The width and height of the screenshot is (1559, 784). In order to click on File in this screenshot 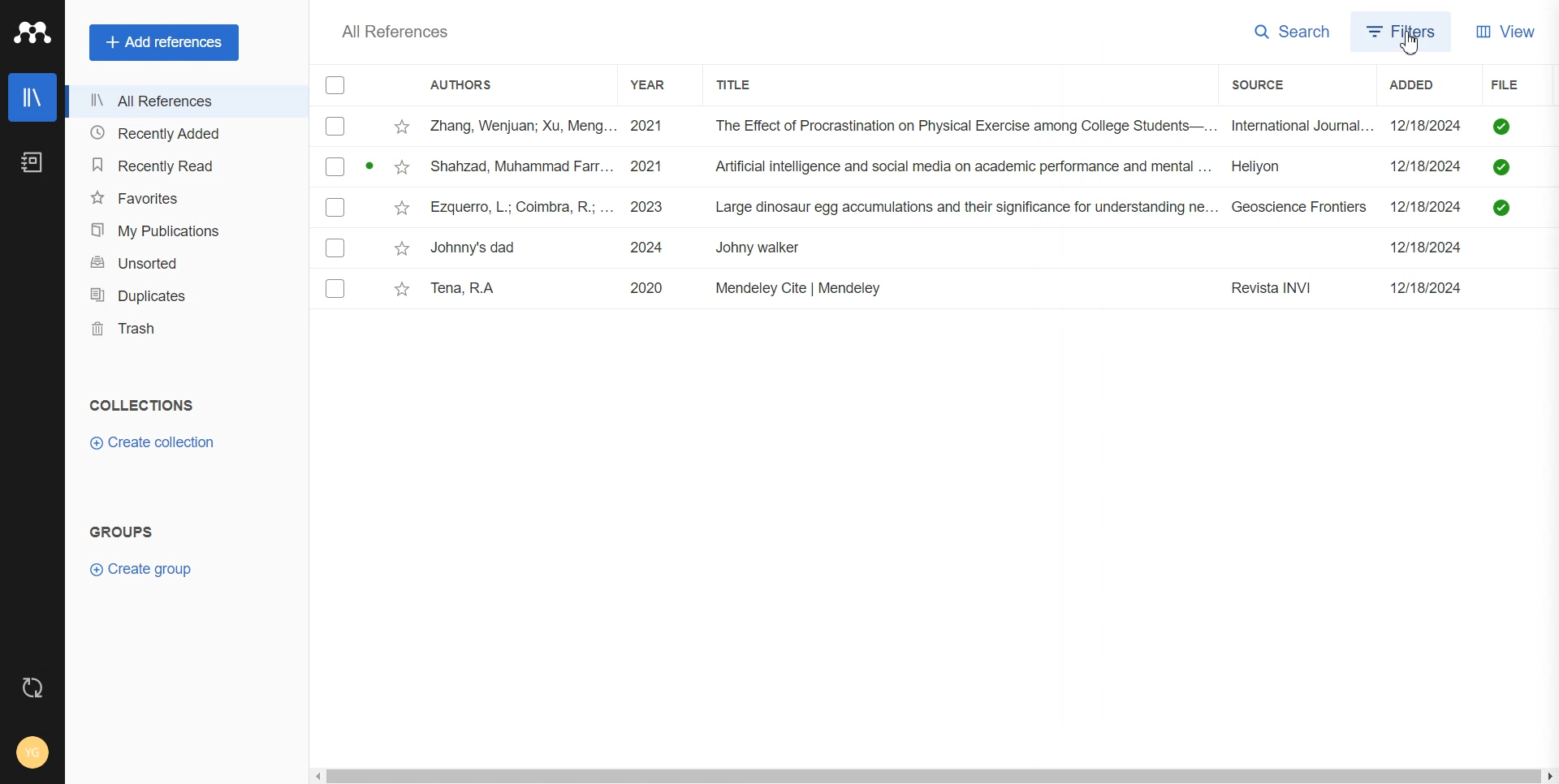, I will do `click(919, 167)`.